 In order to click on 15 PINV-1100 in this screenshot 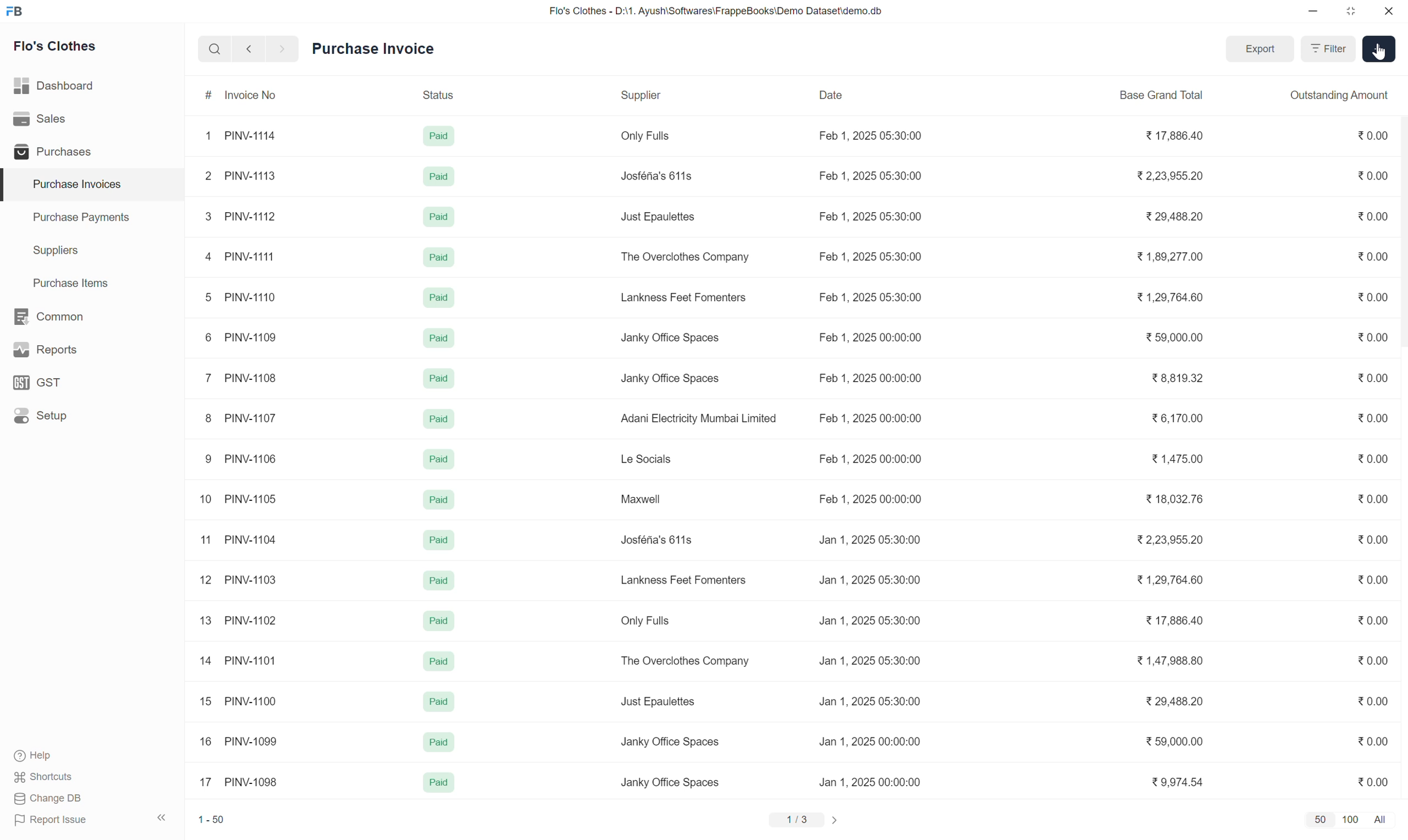, I will do `click(239, 701)`.